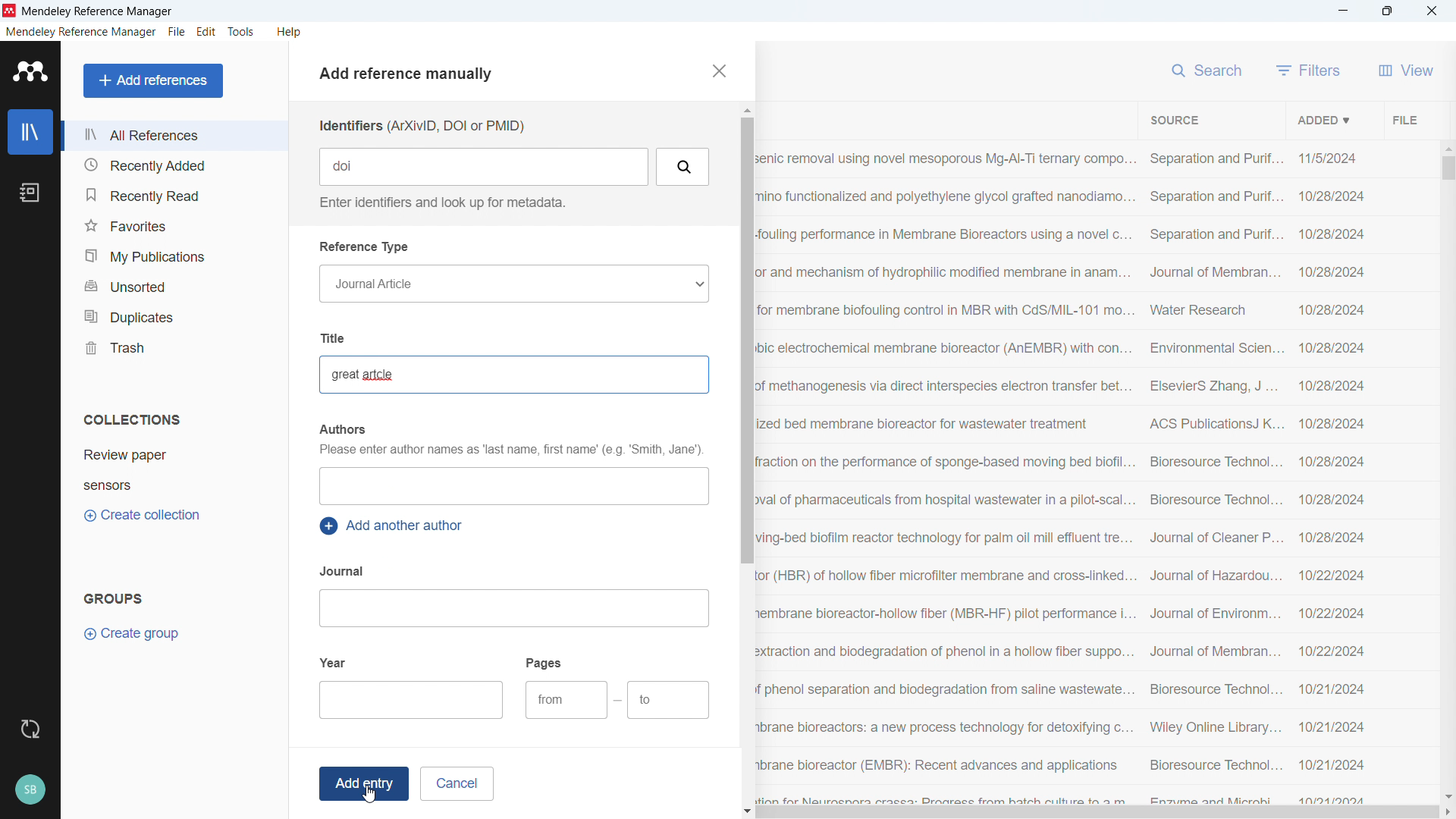 The width and height of the screenshot is (1456, 819). Describe the element at coordinates (132, 419) in the screenshot. I see `Collections ` at that location.